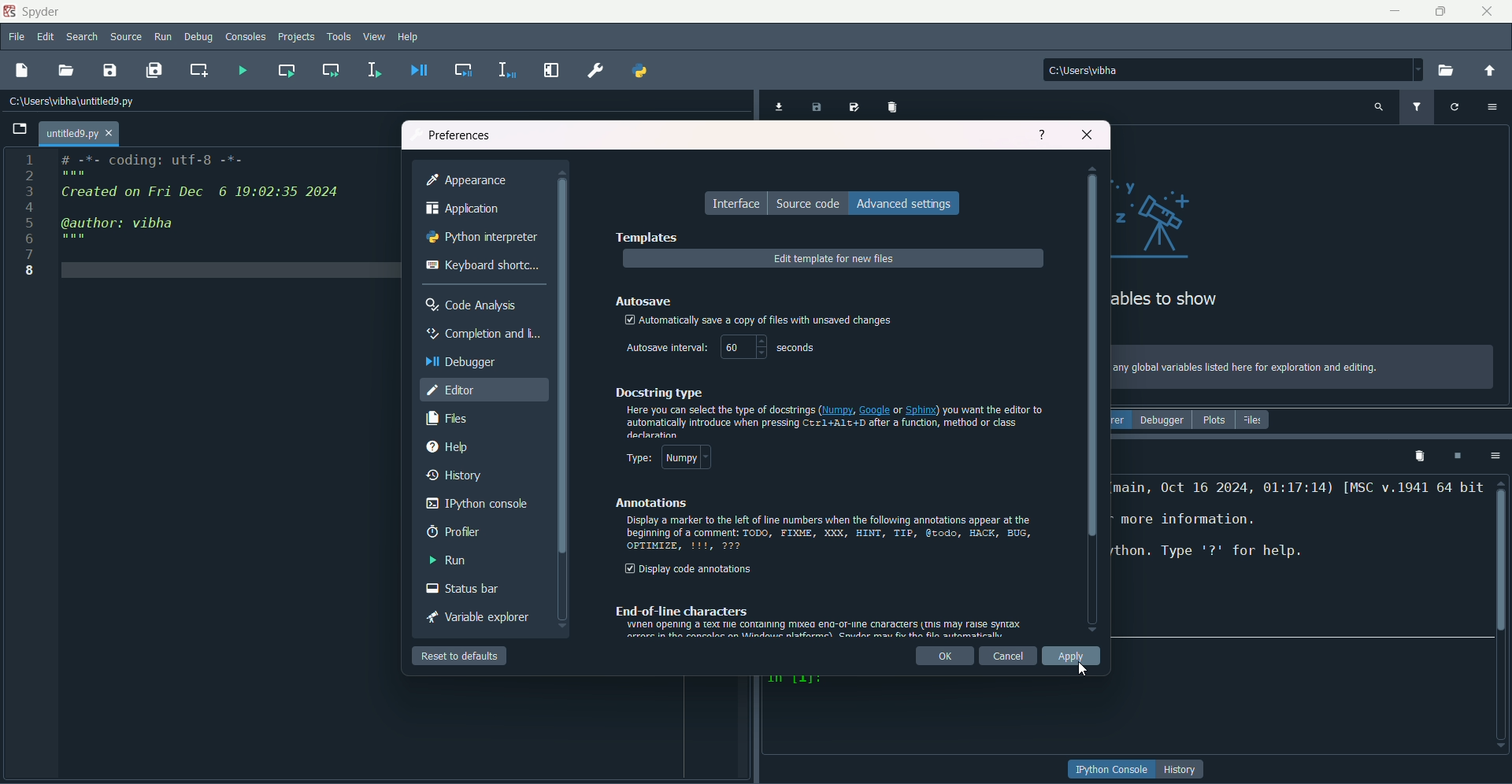  What do you see at coordinates (460, 590) in the screenshot?
I see `status bar` at bounding box center [460, 590].